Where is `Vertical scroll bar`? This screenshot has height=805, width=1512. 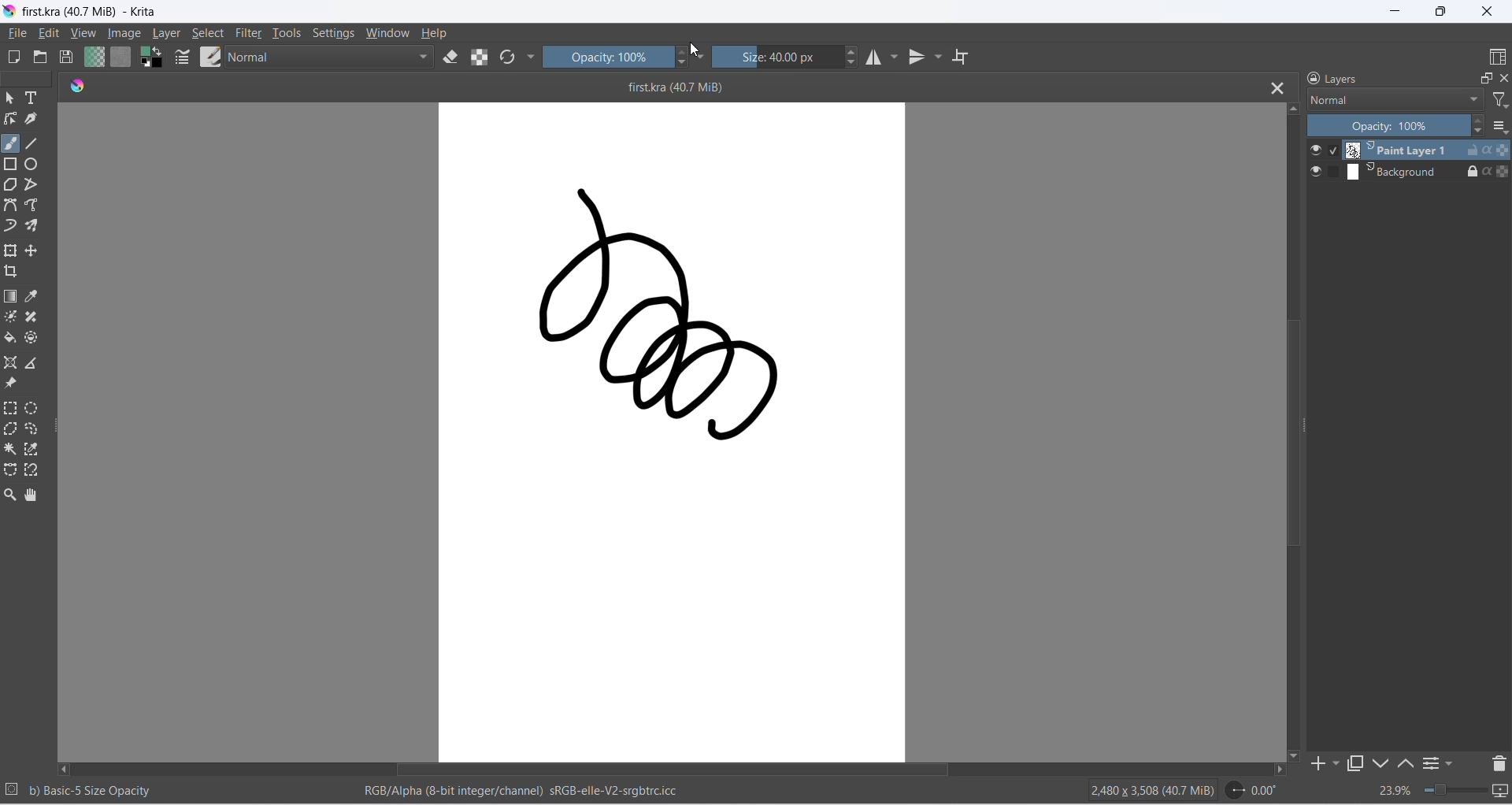 Vertical scroll bar is located at coordinates (1297, 431).